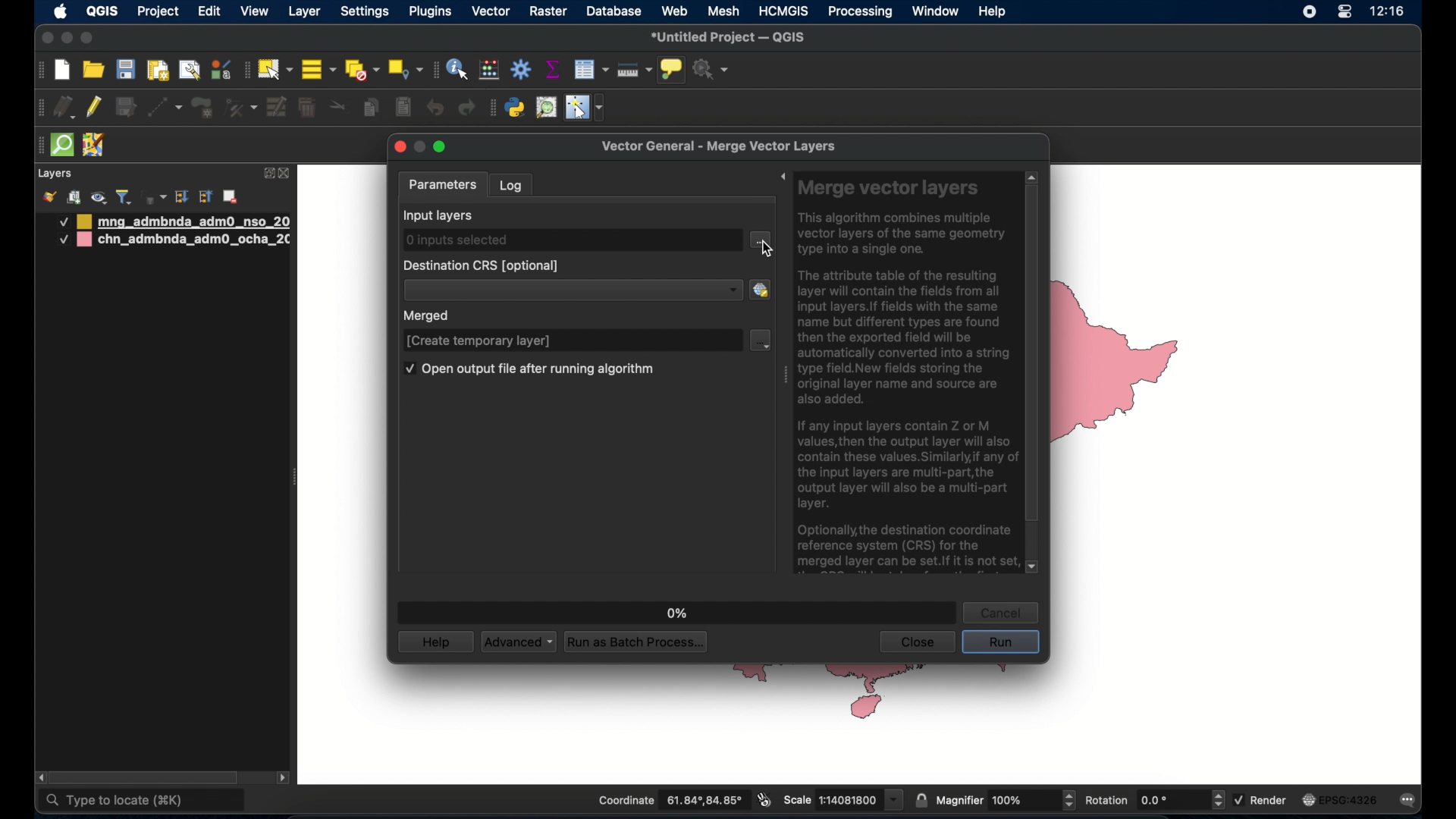  Describe the element at coordinates (1031, 175) in the screenshot. I see `scroll up` at that location.